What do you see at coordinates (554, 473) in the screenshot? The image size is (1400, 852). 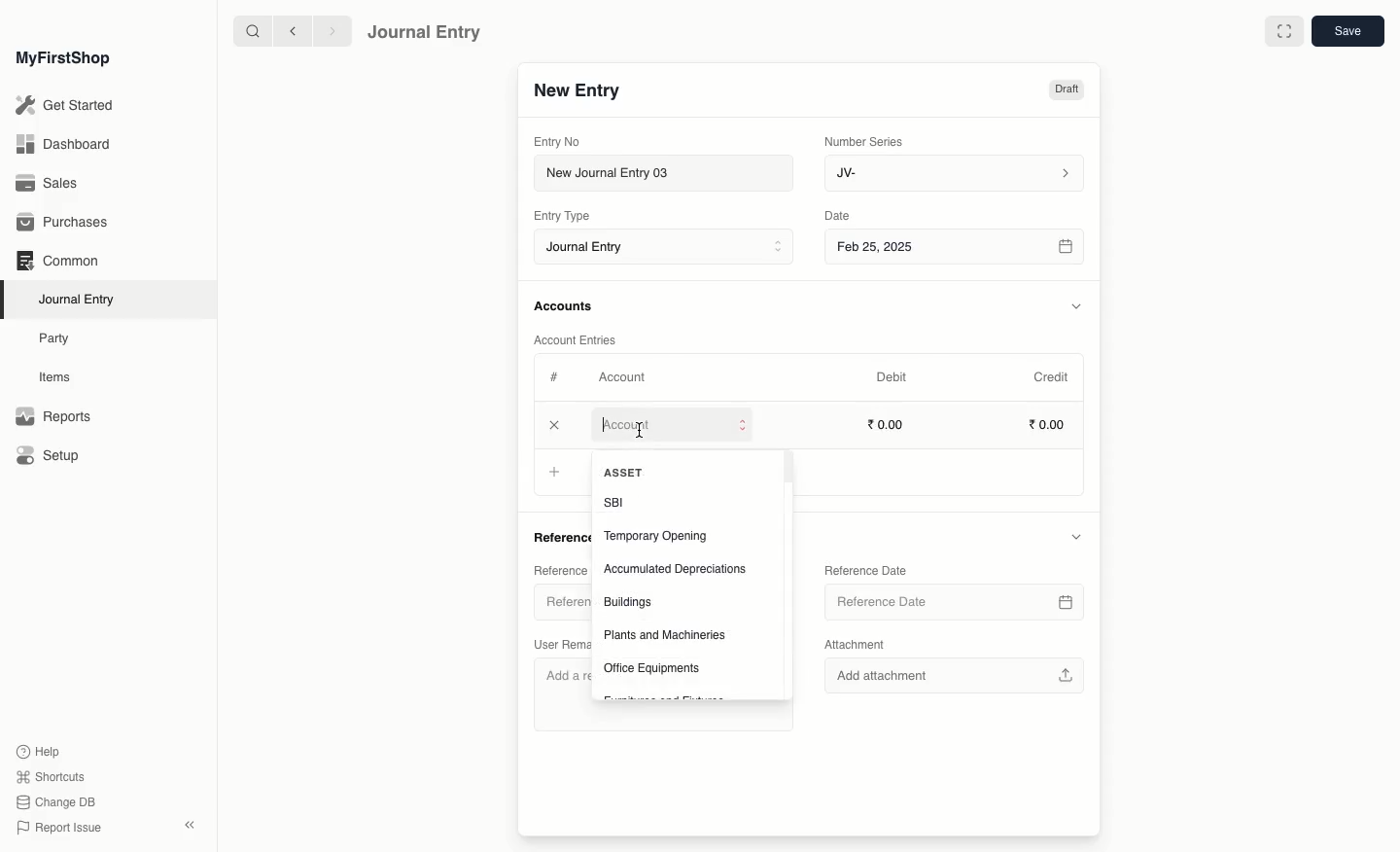 I see `Add` at bounding box center [554, 473].